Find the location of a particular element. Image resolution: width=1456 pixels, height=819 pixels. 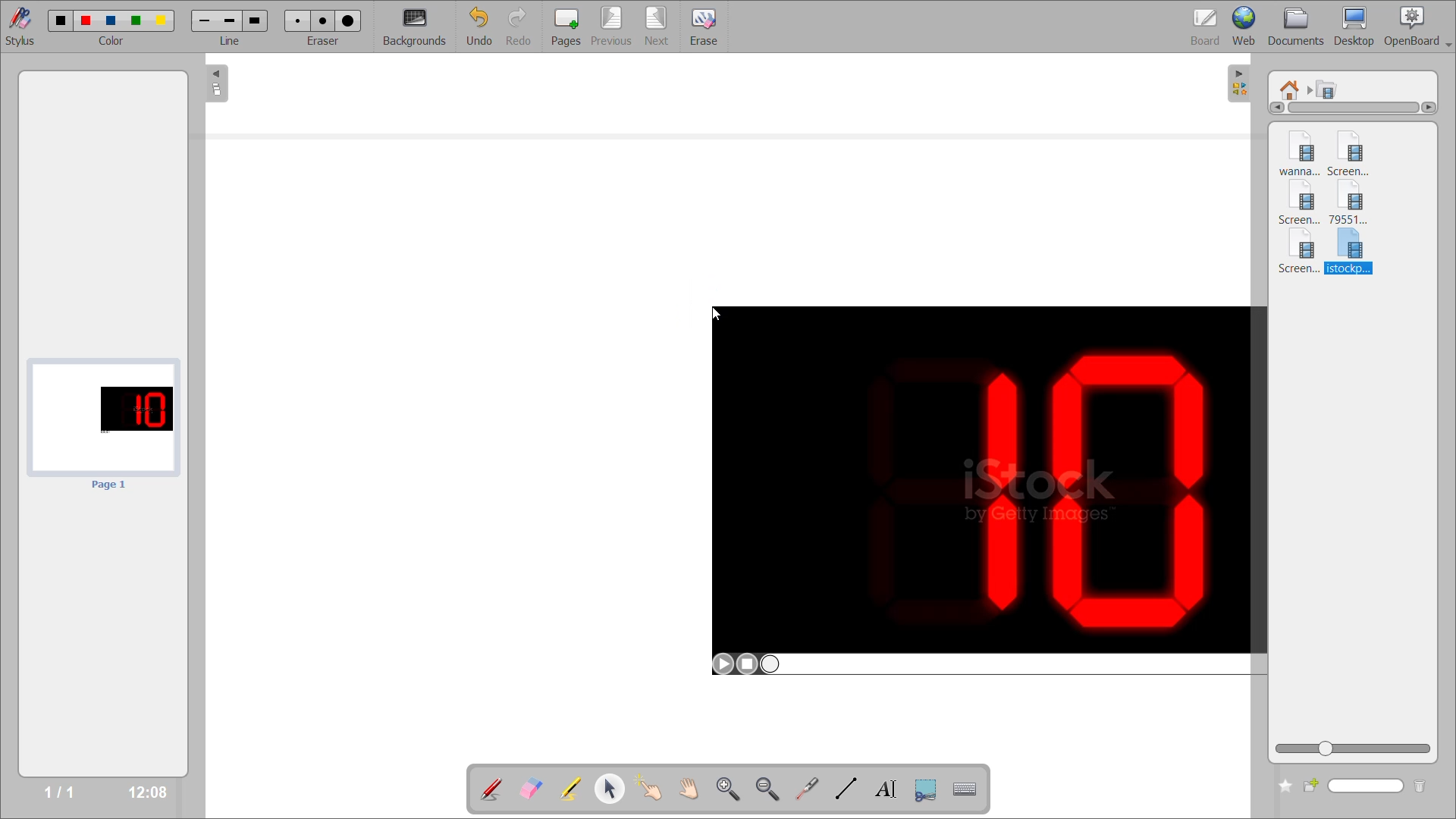

video 5 is located at coordinates (1296, 255).